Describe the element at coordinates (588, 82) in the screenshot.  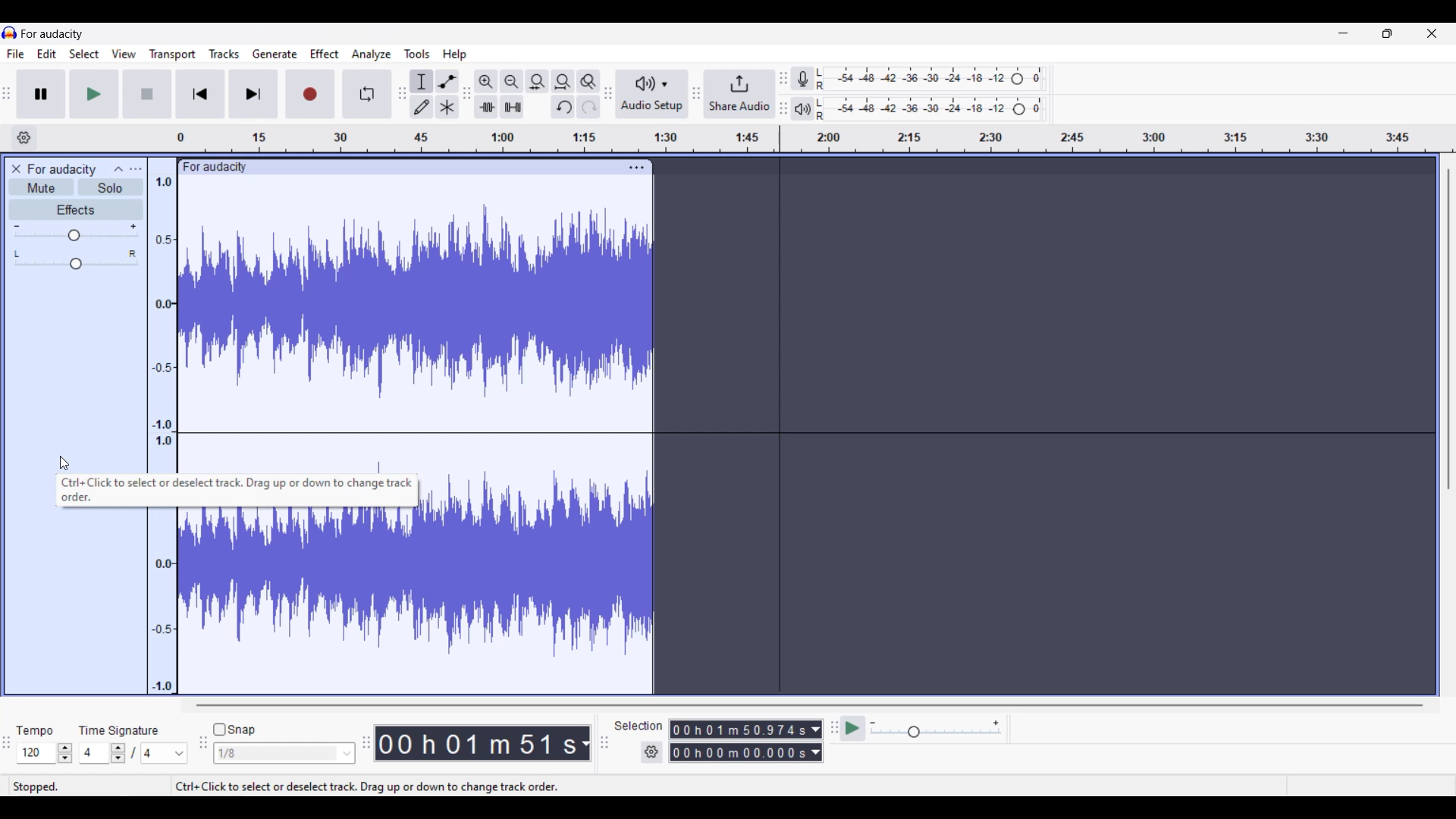
I see `Zoom toggle` at that location.